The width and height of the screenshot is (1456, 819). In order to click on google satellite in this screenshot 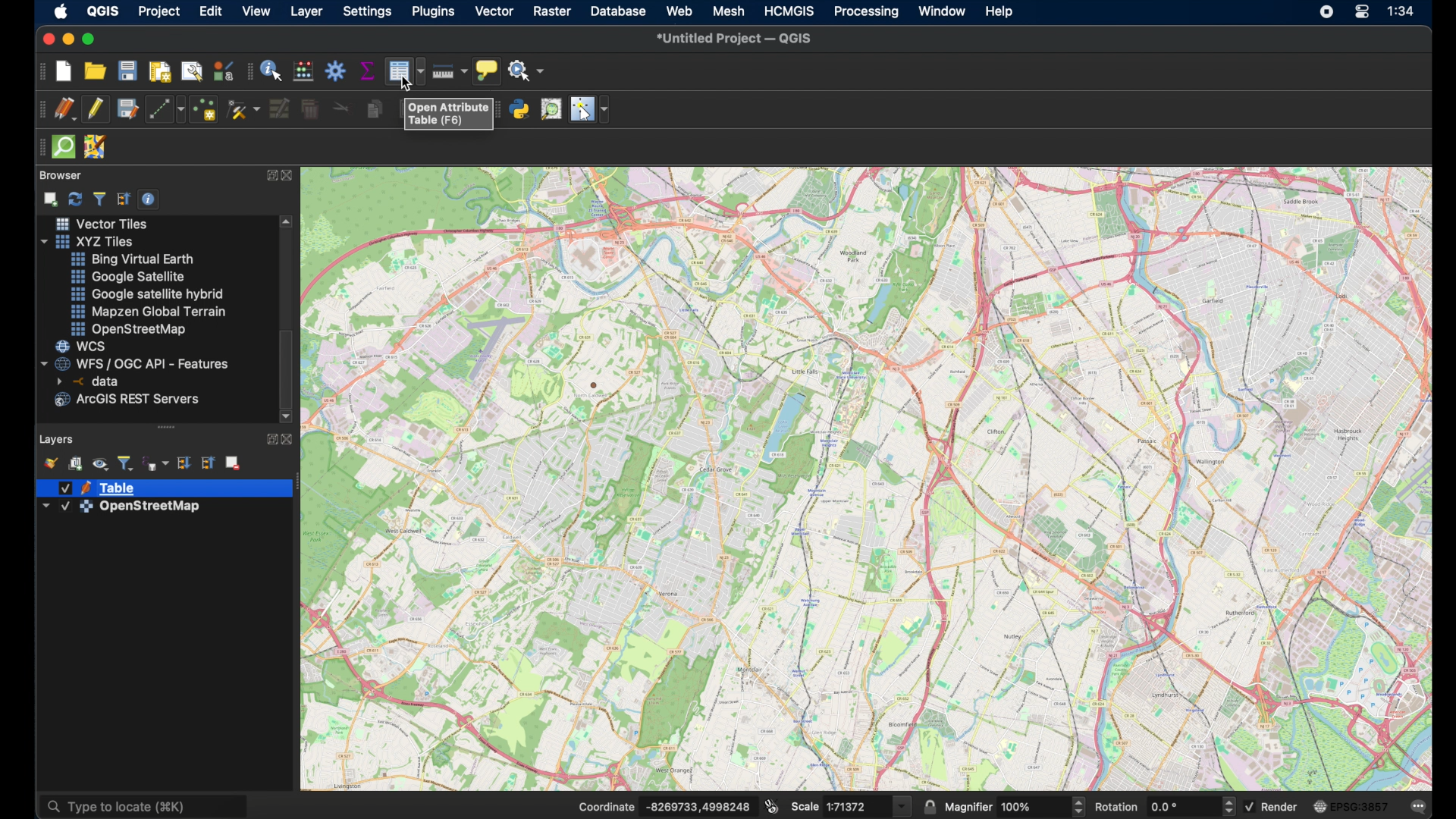, I will do `click(130, 277)`.